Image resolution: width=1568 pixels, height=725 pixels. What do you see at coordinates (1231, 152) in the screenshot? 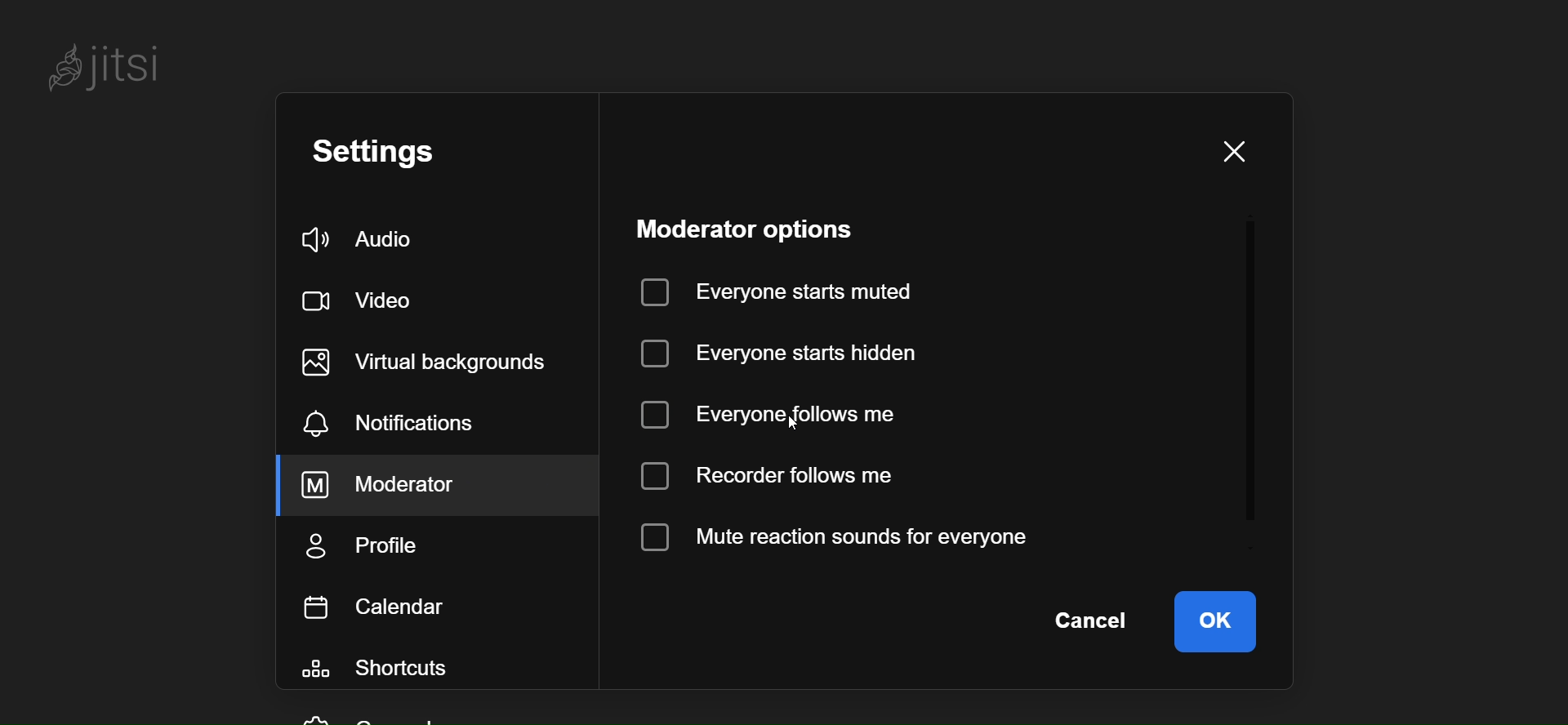
I see `close window` at bounding box center [1231, 152].